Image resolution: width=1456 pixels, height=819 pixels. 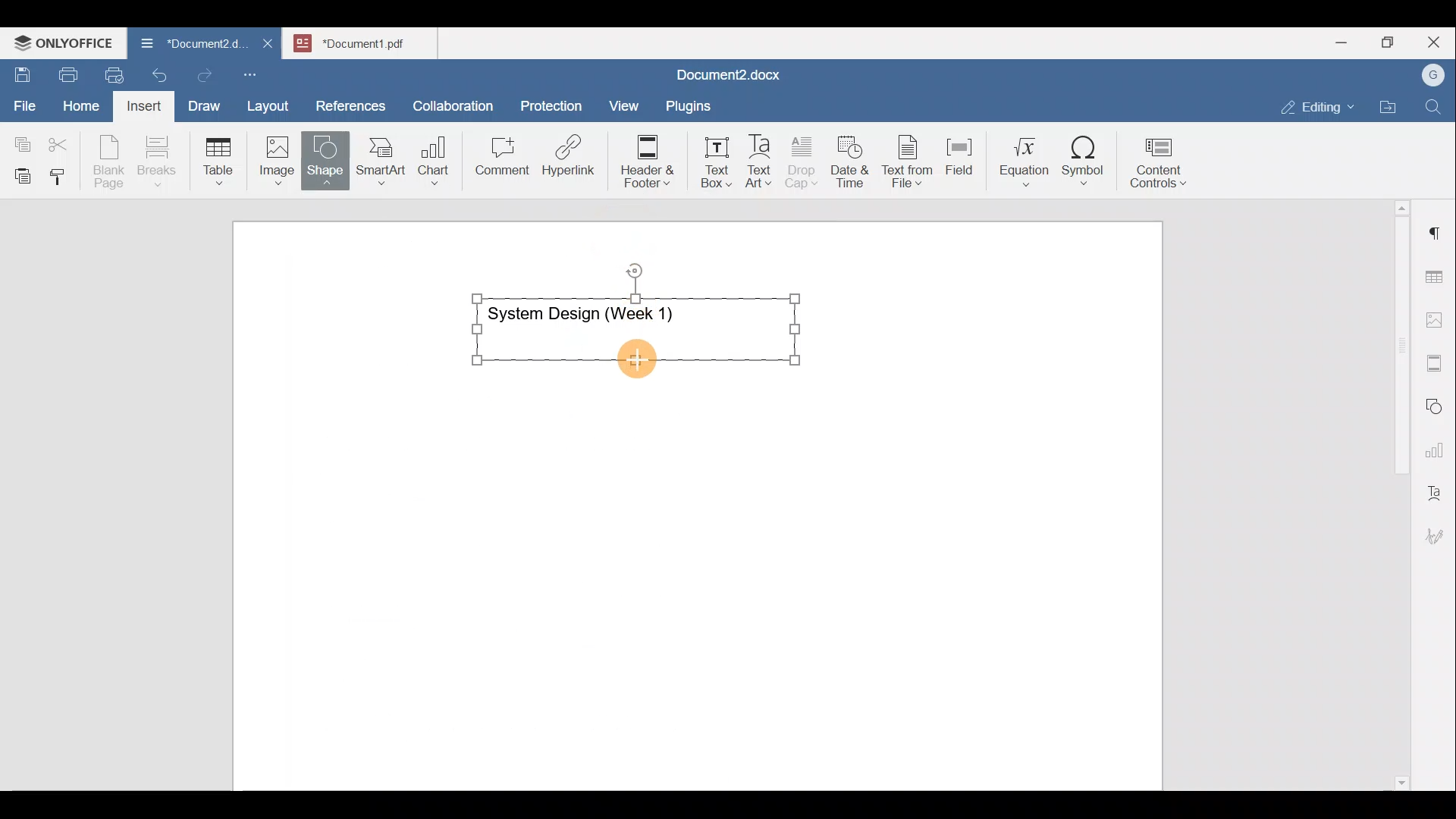 I want to click on Draw, so click(x=202, y=102).